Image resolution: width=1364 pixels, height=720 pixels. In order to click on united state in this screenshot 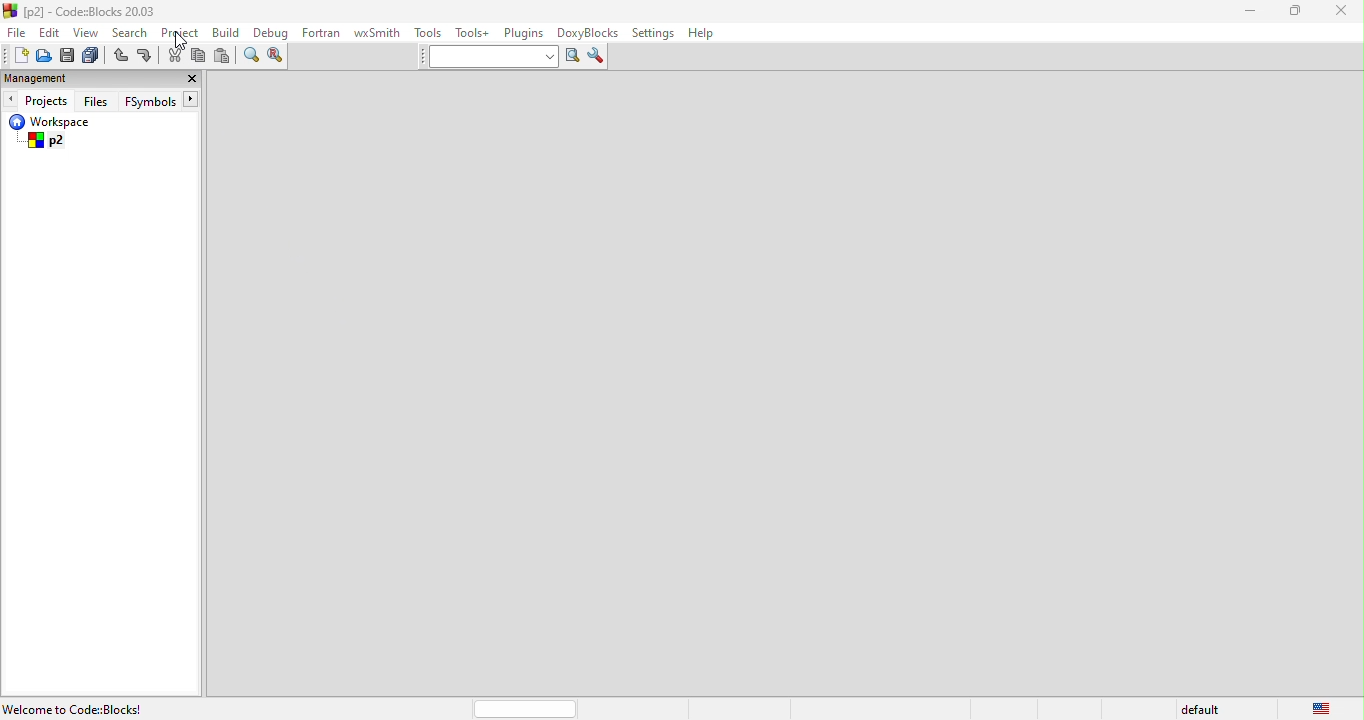, I will do `click(1324, 707)`.